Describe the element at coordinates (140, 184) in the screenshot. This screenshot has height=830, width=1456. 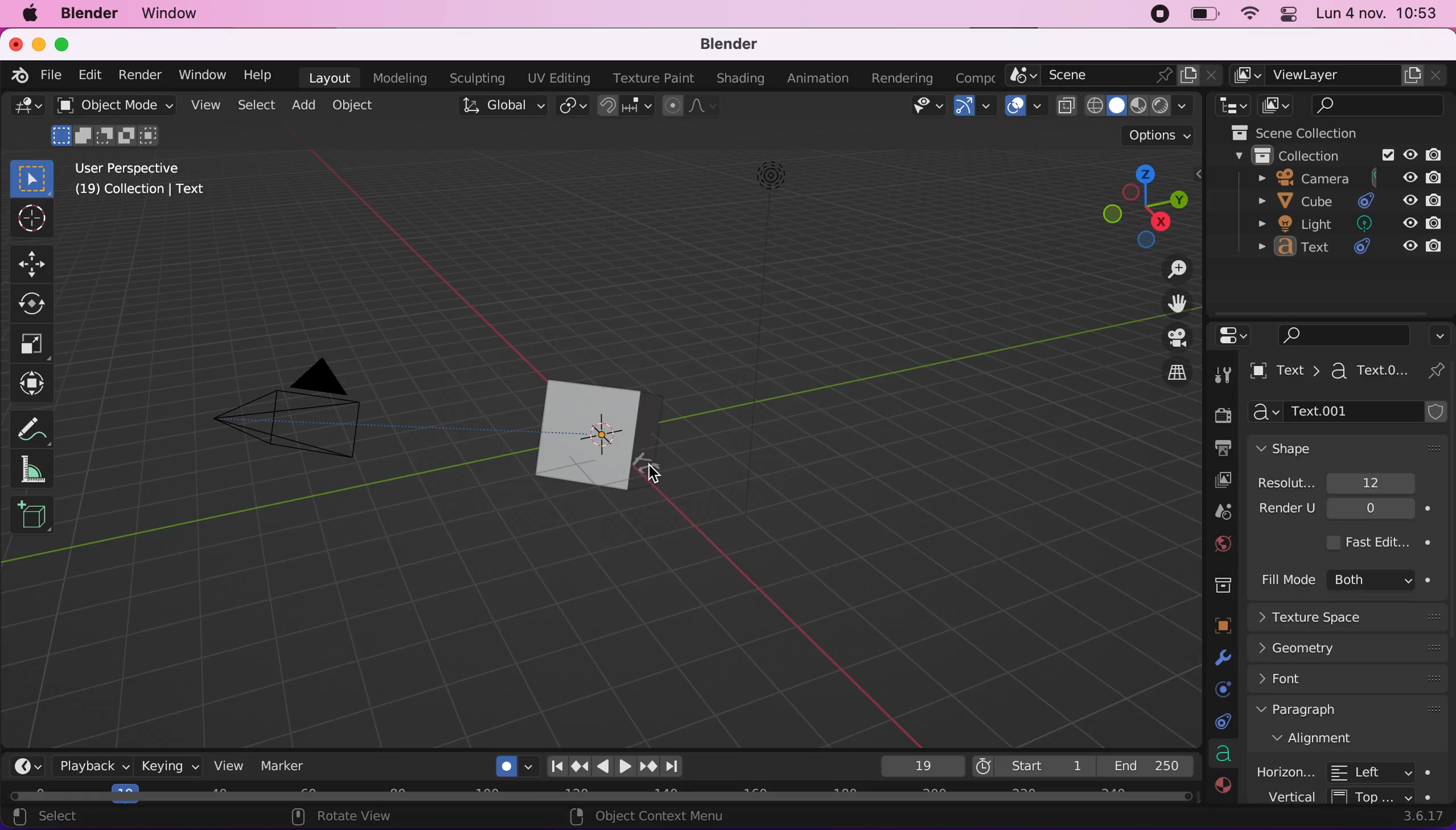
I see `user perspective` at that location.